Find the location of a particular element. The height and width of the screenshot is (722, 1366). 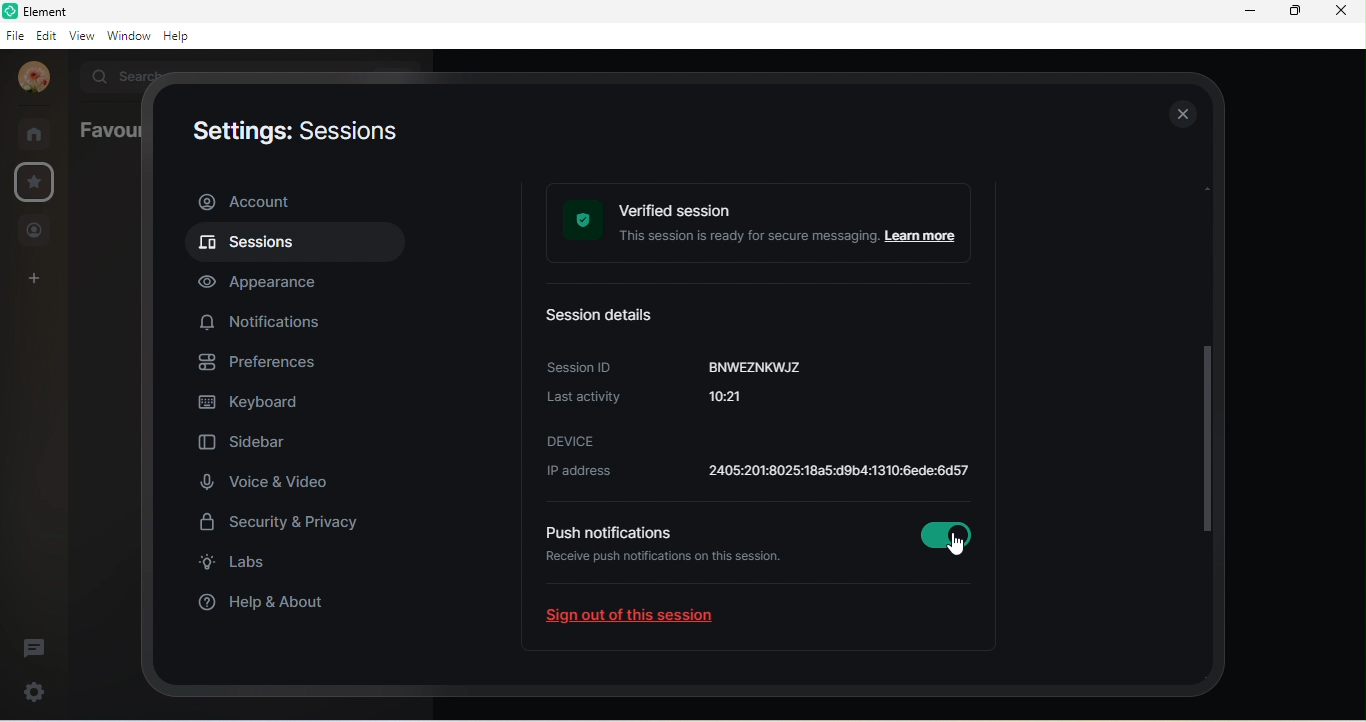

create a space is located at coordinates (38, 280).